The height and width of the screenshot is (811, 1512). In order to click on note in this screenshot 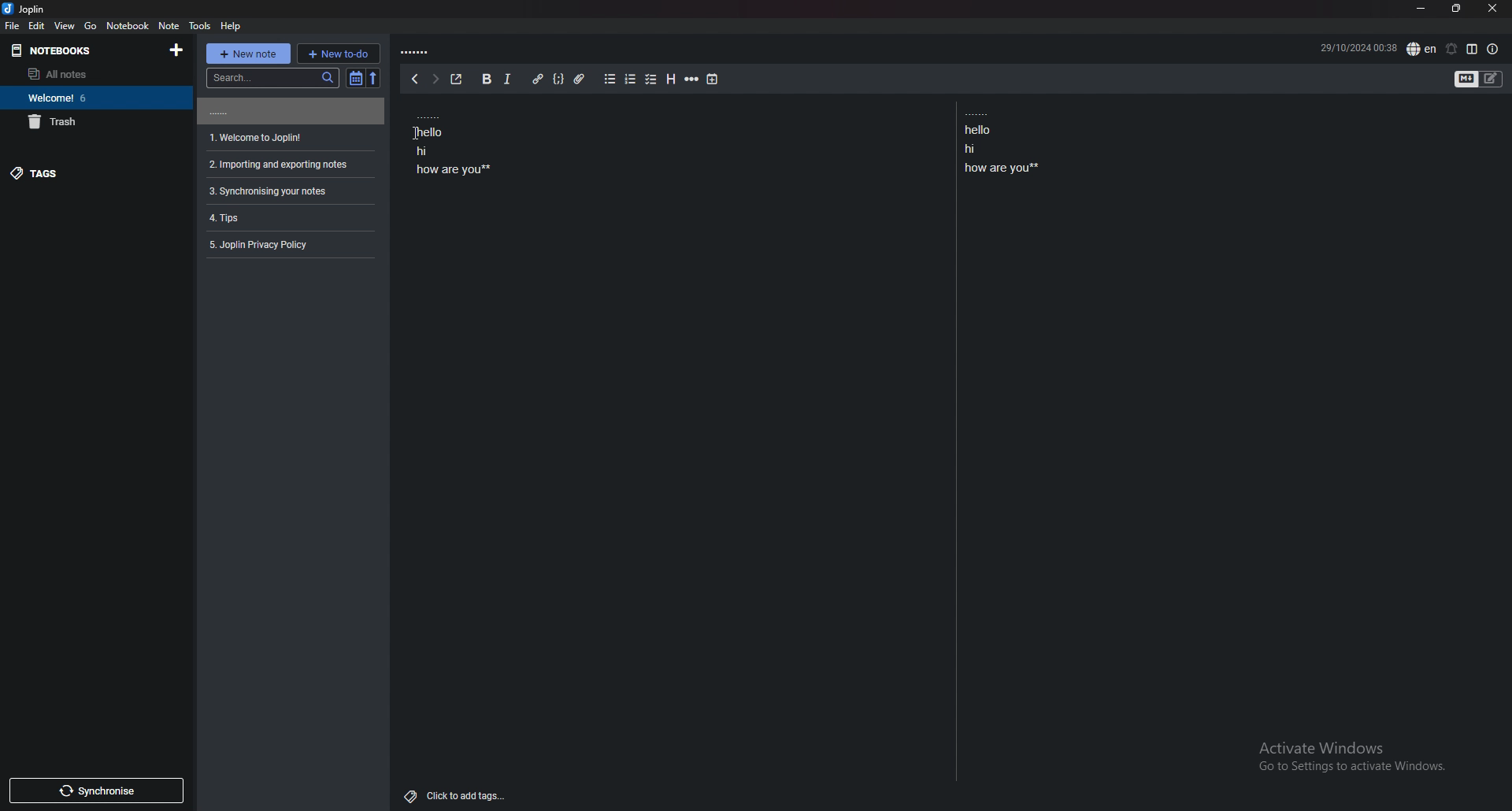, I will do `click(288, 111)`.